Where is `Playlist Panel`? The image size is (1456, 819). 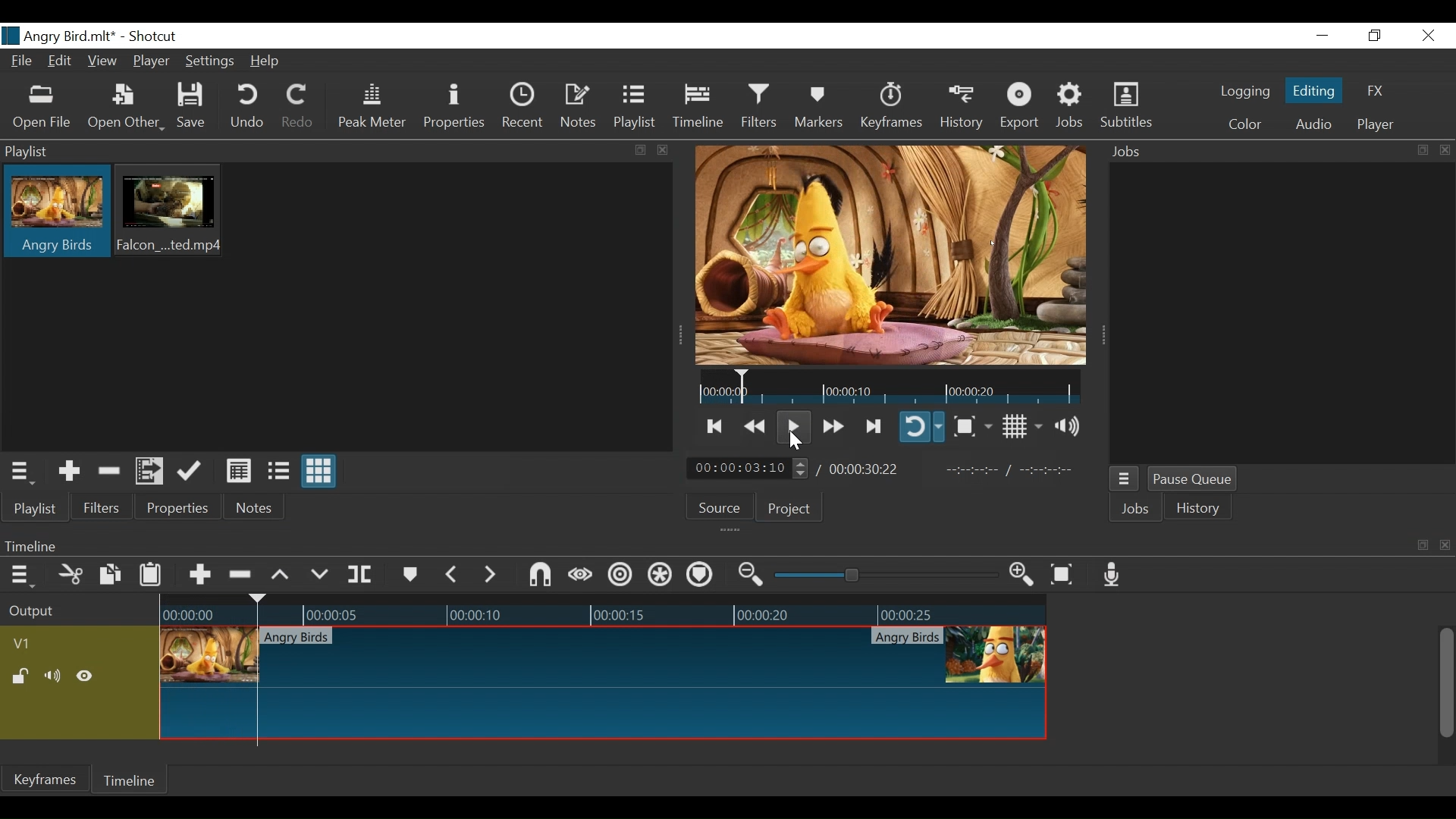 Playlist Panel is located at coordinates (333, 152).